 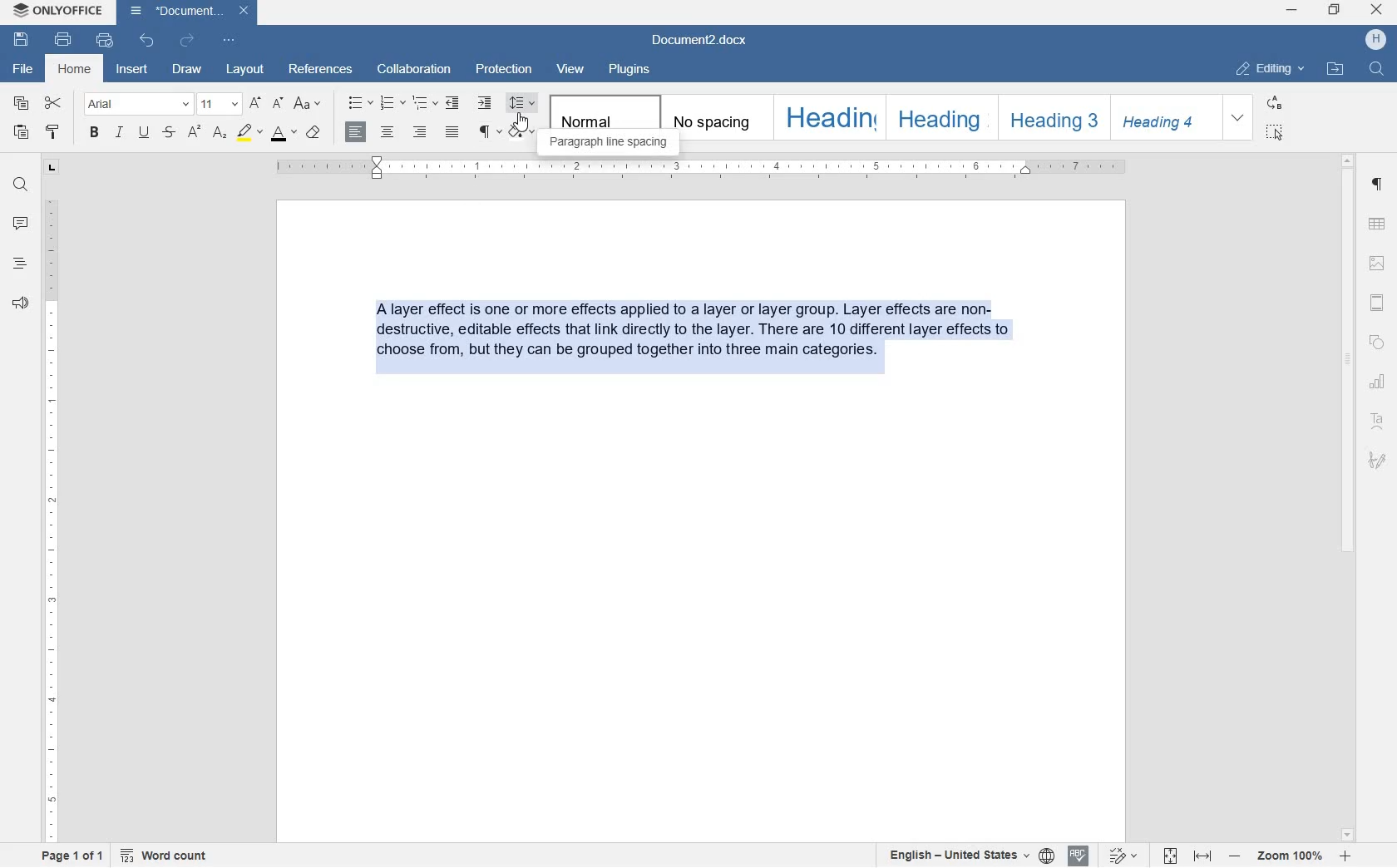 I want to click on align right, so click(x=355, y=133).